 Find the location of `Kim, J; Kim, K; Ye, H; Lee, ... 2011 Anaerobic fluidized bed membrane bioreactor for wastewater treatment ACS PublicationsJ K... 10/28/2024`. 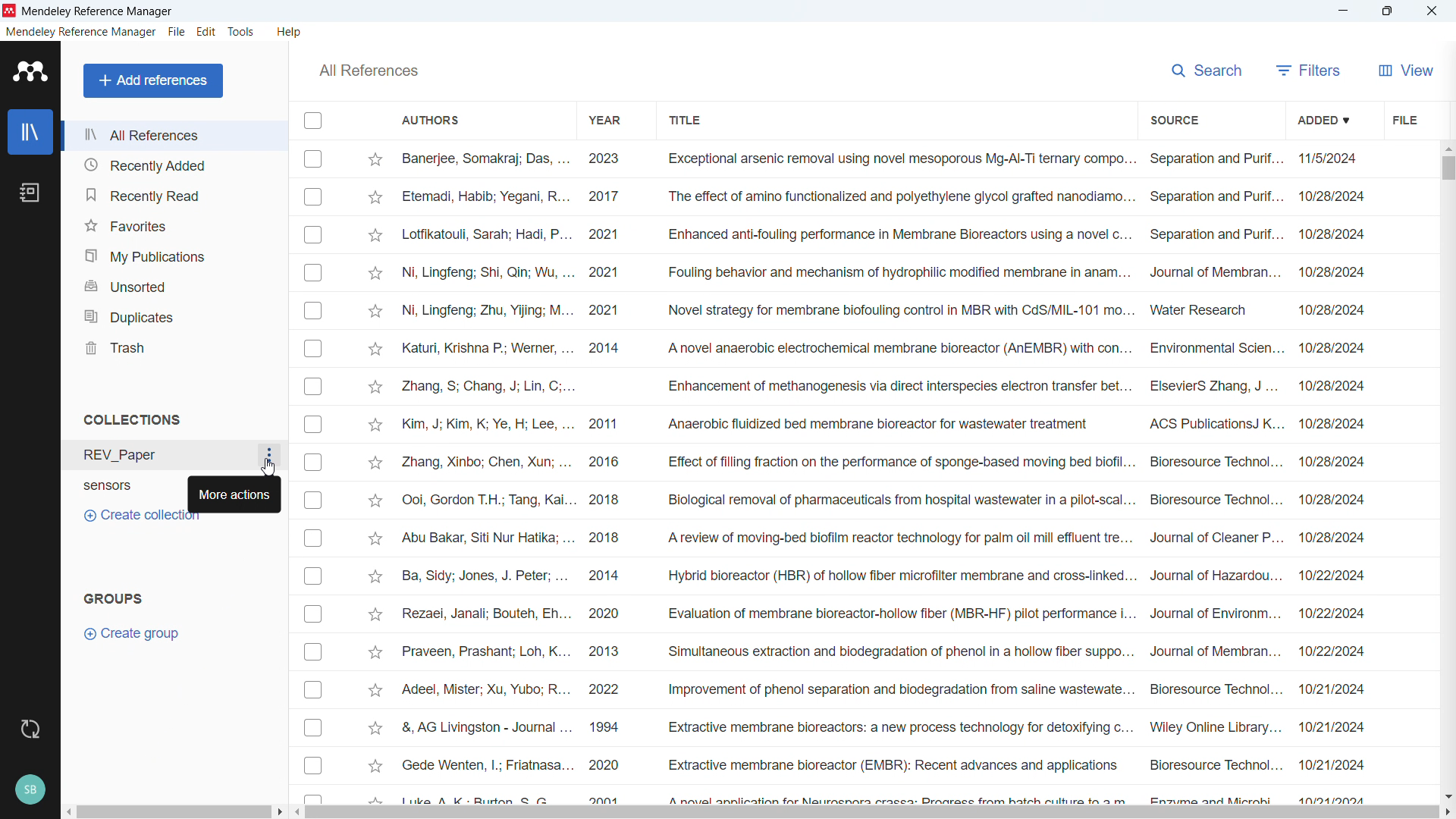

Kim, J; Kim, K; Ye, H; Lee, ... 2011 Anaerobic fluidized bed membrane bioreactor for wastewater treatment ACS PublicationsJ K... 10/28/2024 is located at coordinates (883, 423).